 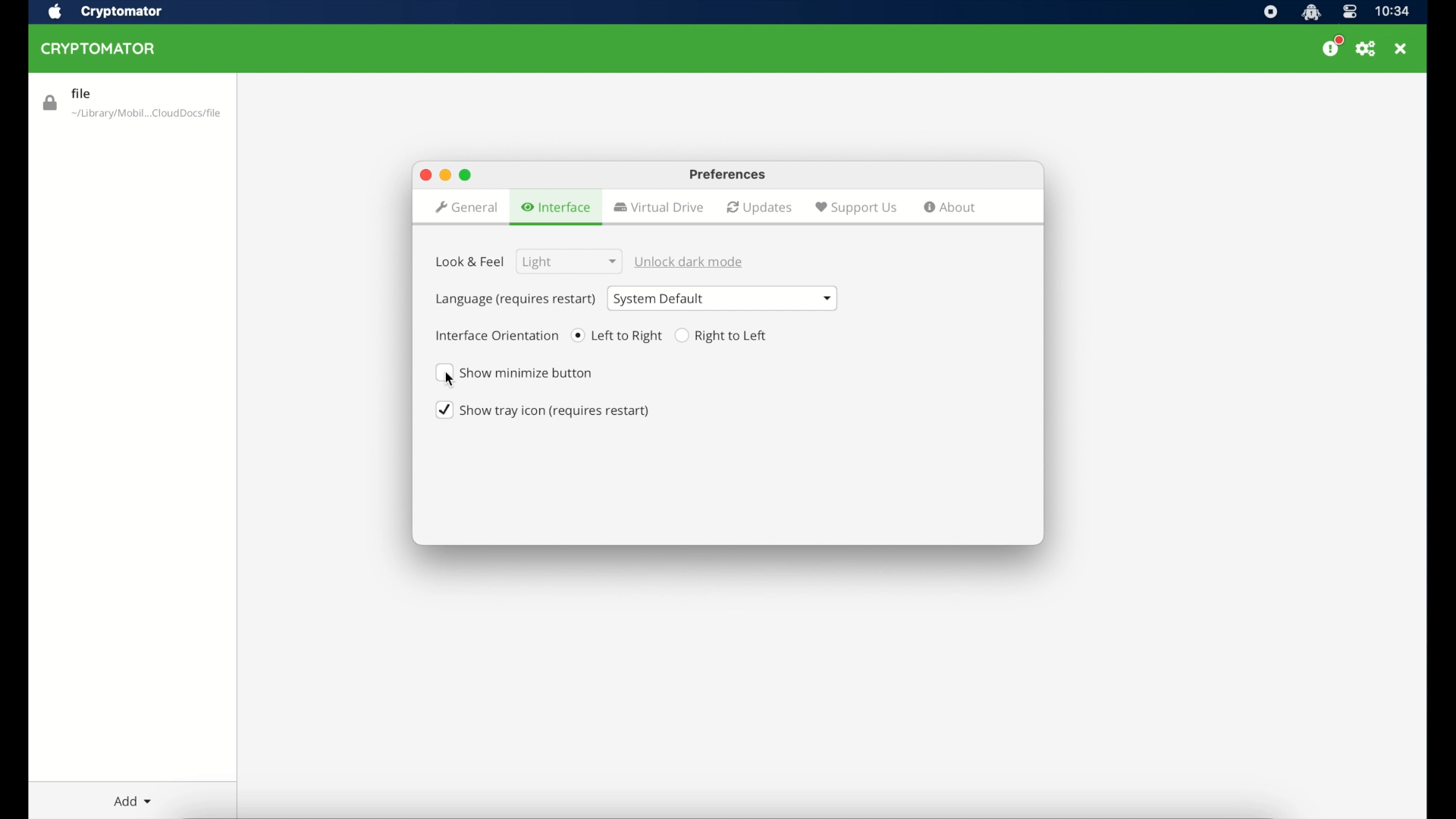 I want to click on cryptomator icon, so click(x=1311, y=12).